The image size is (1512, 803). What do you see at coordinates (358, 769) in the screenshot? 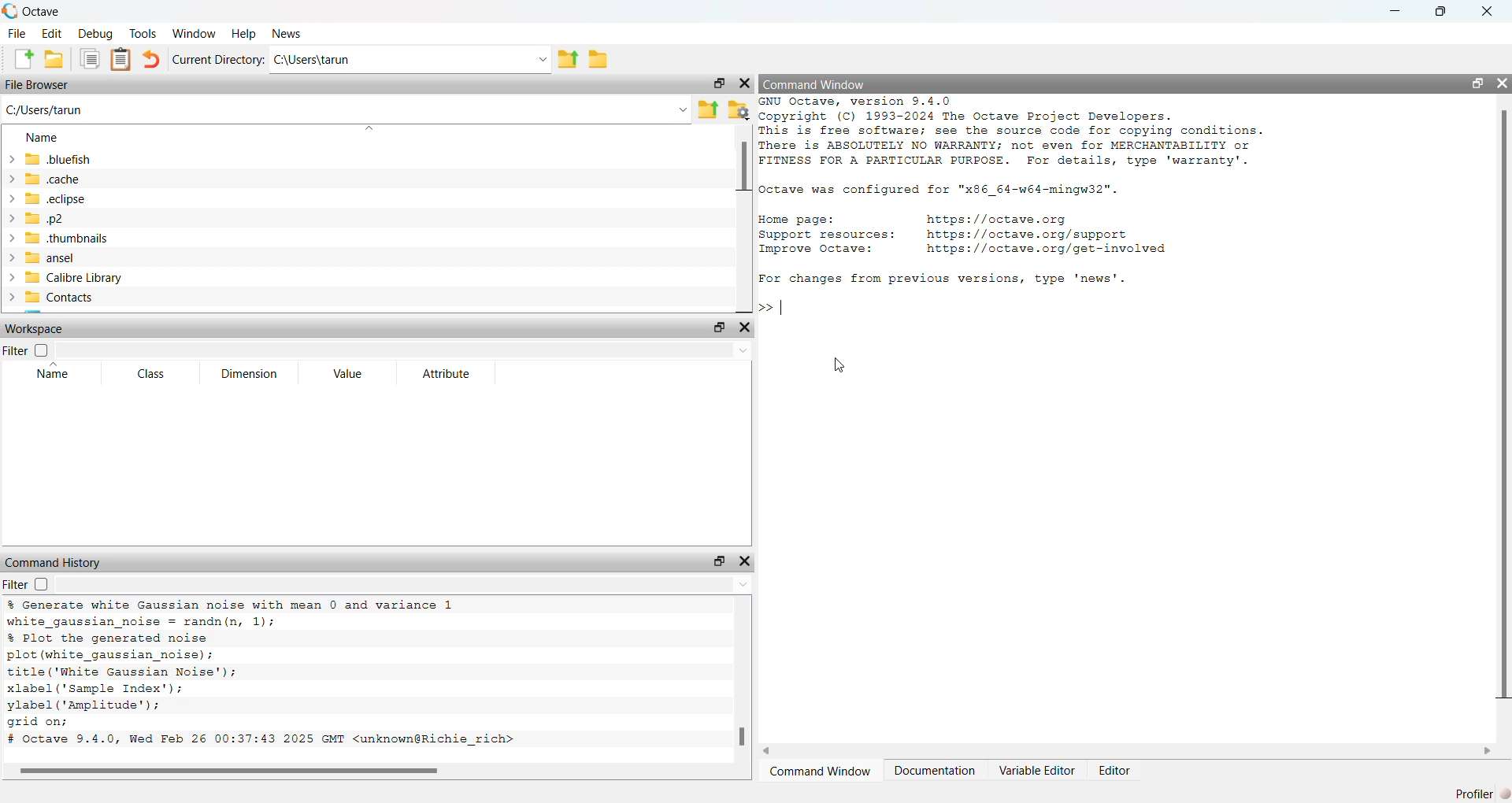
I see `horizontal scroll bar` at bounding box center [358, 769].